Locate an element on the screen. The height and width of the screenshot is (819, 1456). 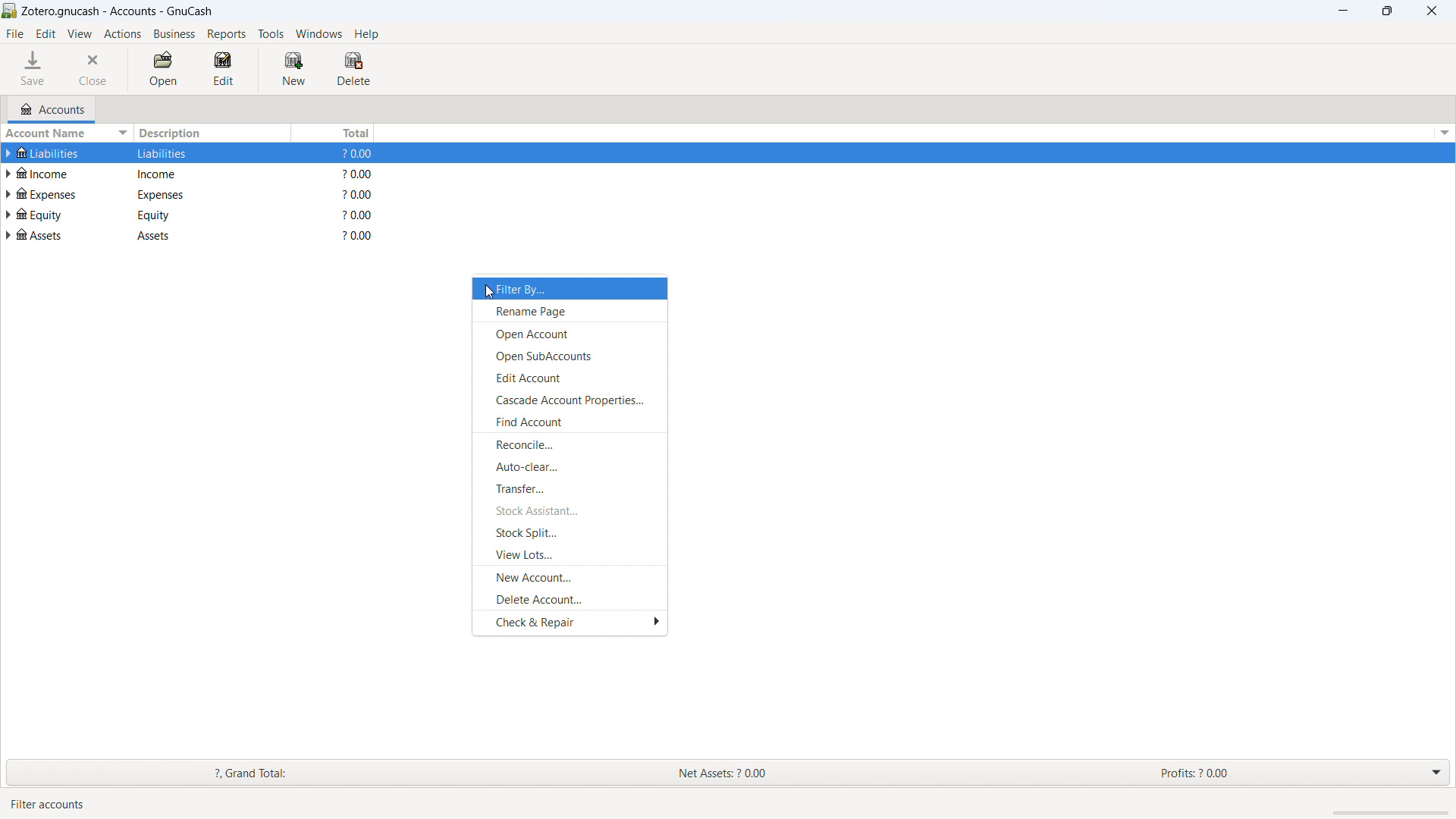
file is located at coordinates (15, 33).